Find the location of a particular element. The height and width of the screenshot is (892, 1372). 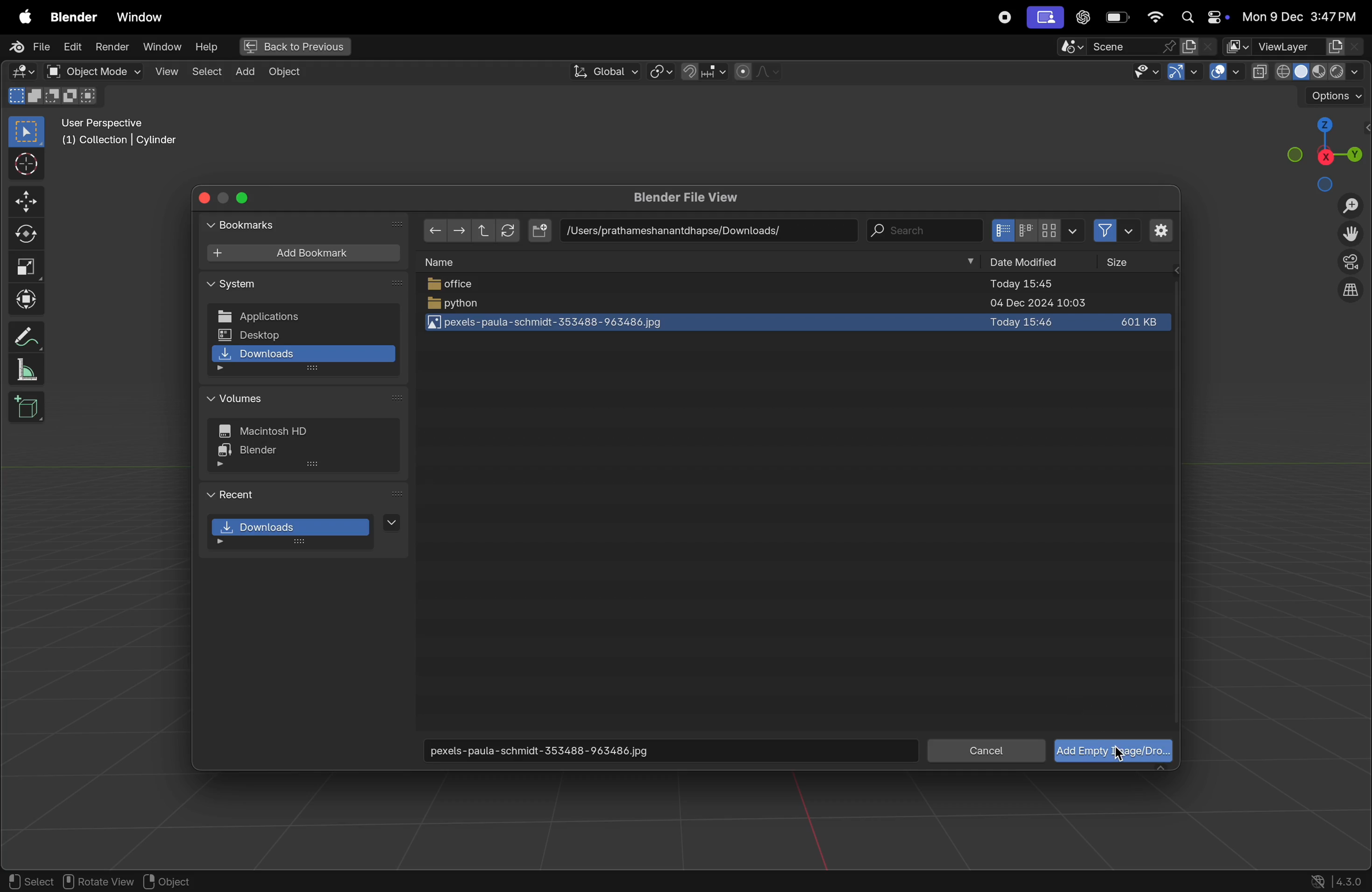

chatgpt is located at coordinates (1083, 18).